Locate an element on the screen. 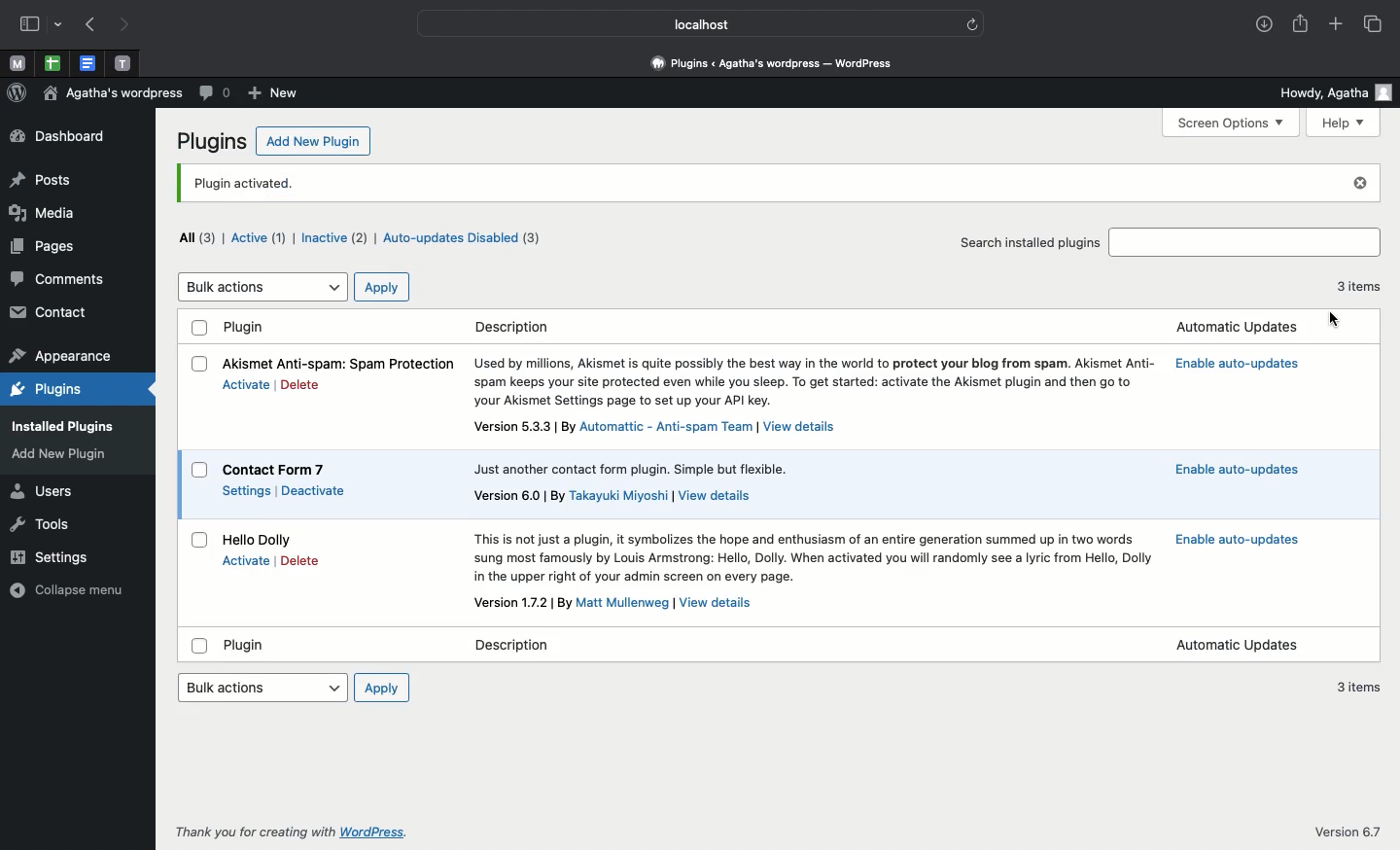  Contact form 7 is located at coordinates (274, 469).